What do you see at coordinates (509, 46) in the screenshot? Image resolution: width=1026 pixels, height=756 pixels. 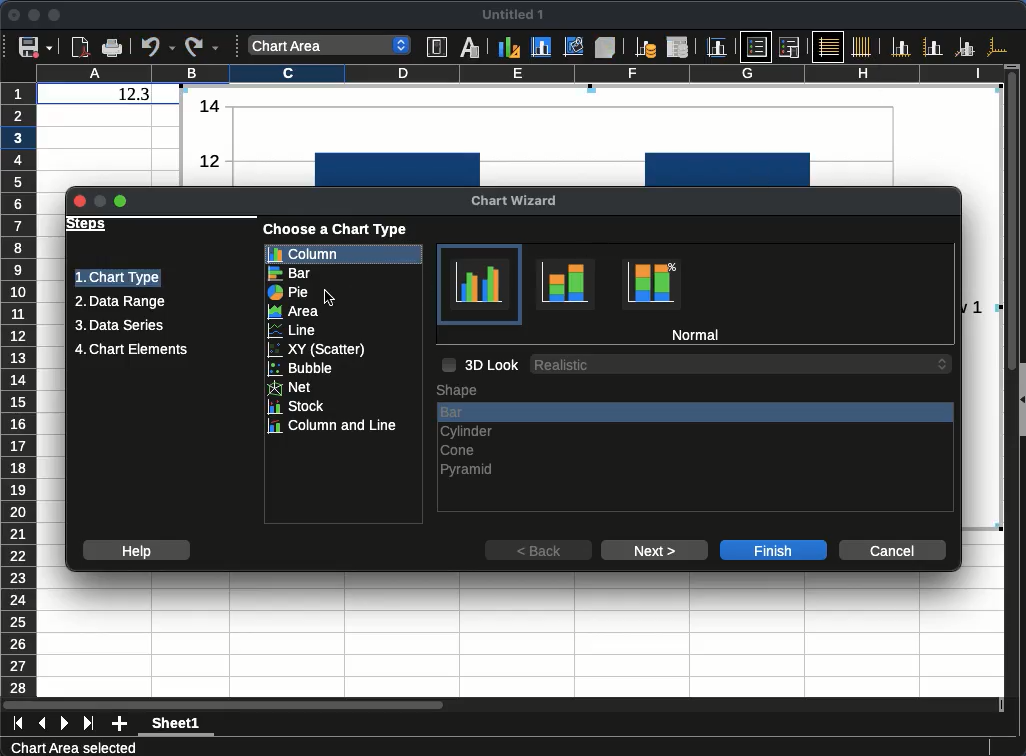 I see `Chart type` at bounding box center [509, 46].